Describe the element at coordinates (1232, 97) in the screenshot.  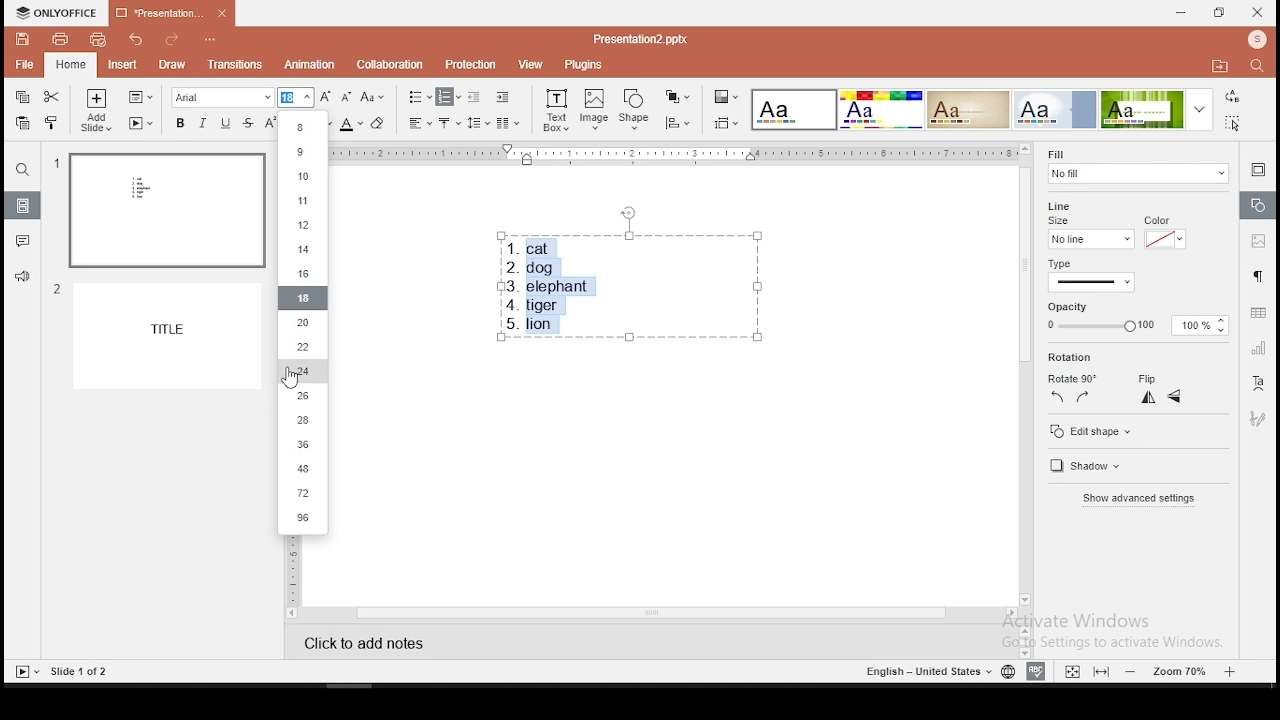
I see `replace` at that location.